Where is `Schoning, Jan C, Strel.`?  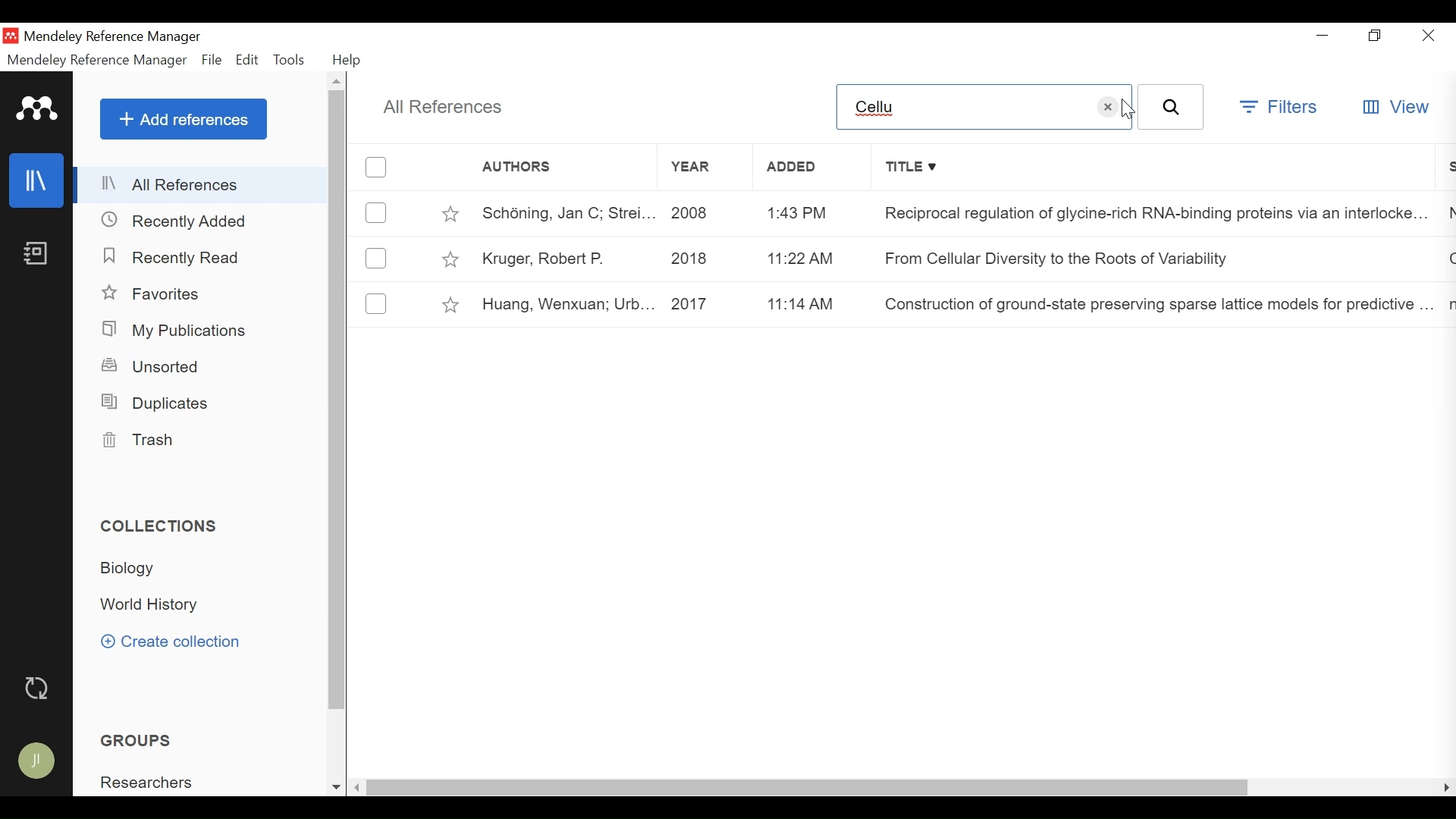 Schoning, Jan C, Strel. is located at coordinates (563, 213).